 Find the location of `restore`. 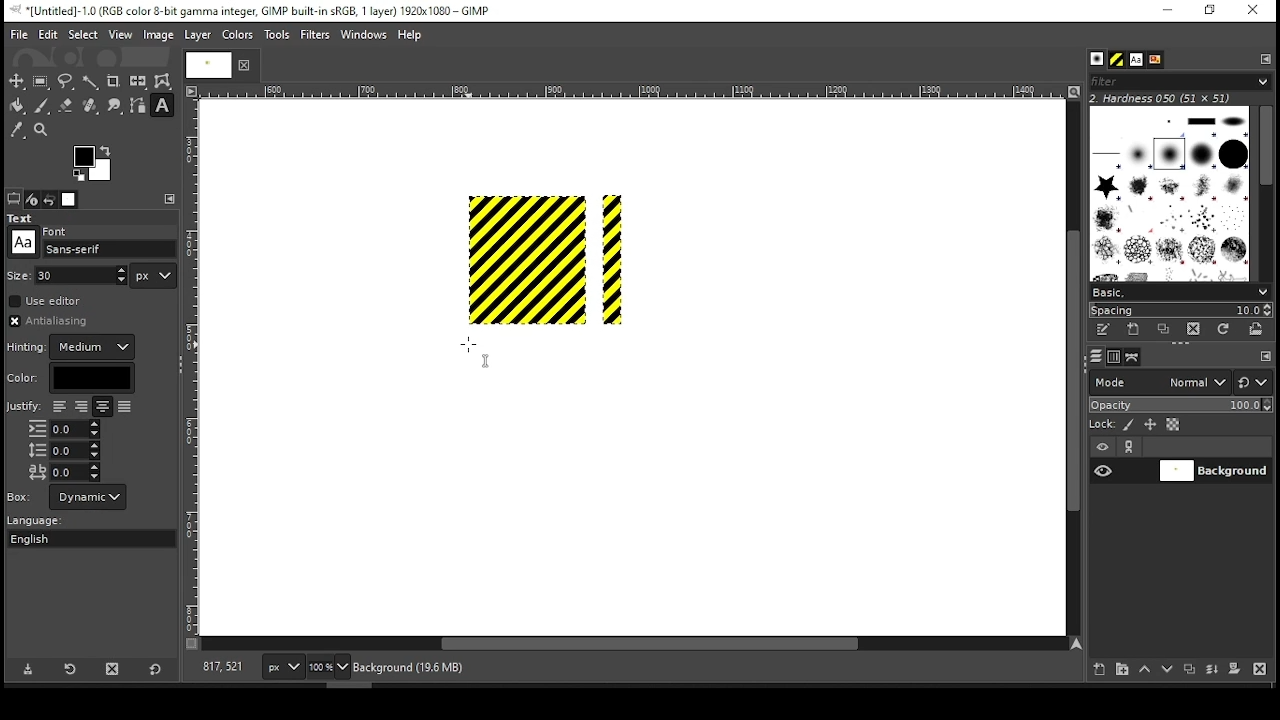

restore is located at coordinates (1212, 11).